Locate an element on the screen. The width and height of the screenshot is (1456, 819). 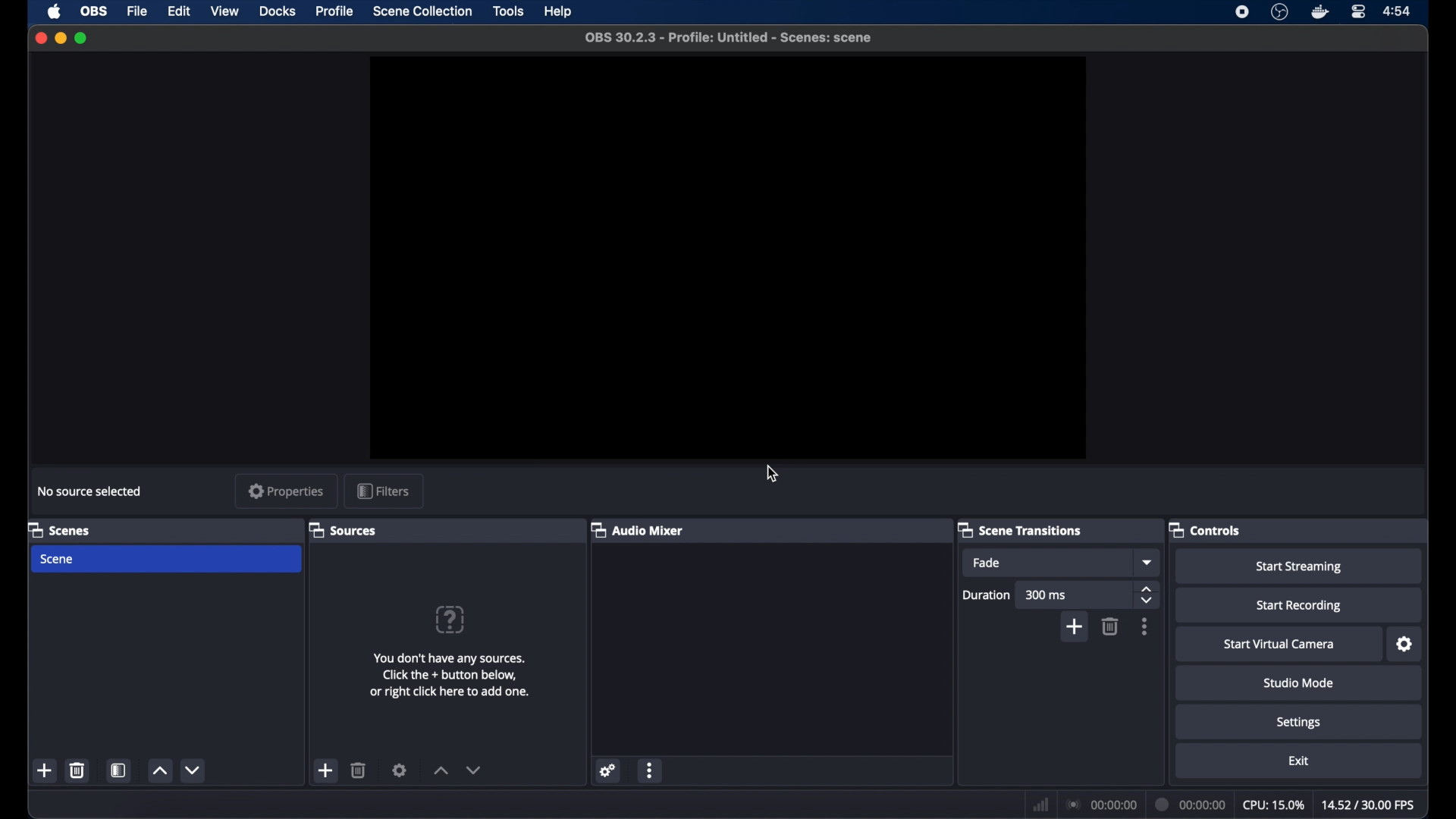
preview is located at coordinates (727, 261).